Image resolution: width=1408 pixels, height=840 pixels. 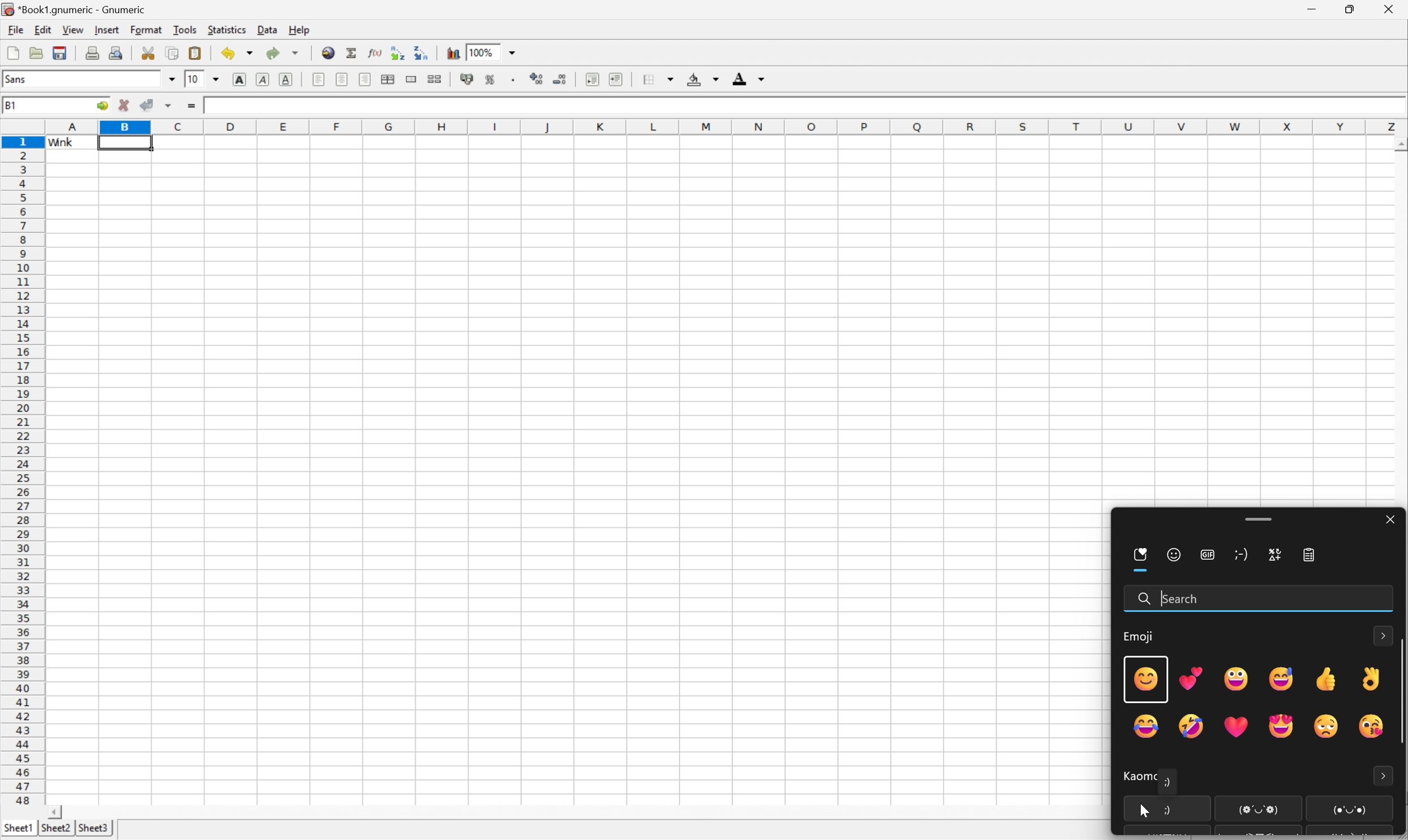 What do you see at coordinates (453, 53) in the screenshot?
I see `insert chart` at bounding box center [453, 53].